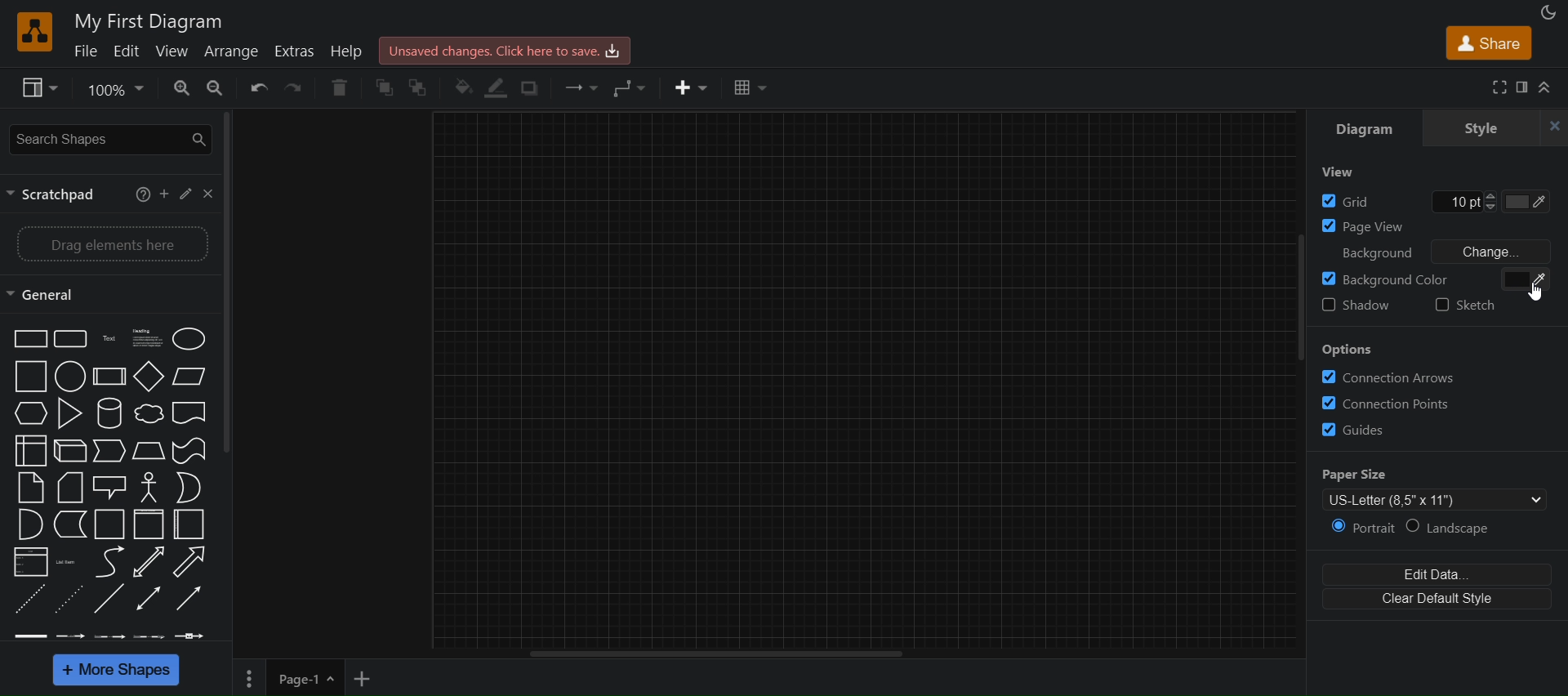  I want to click on delete, so click(339, 89).